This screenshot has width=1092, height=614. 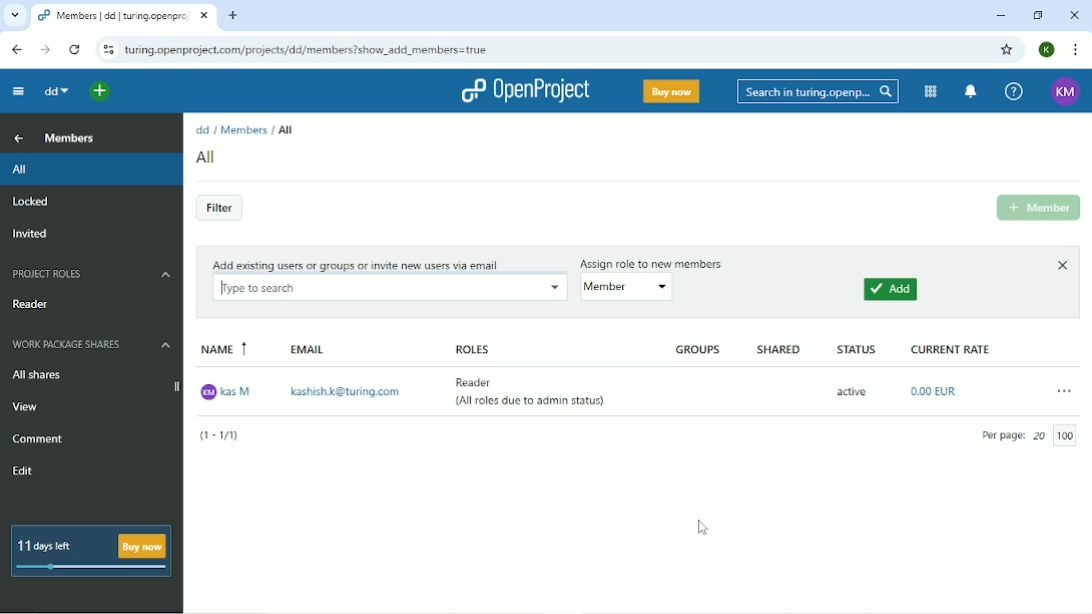 What do you see at coordinates (527, 90) in the screenshot?
I see `OpenProject` at bounding box center [527, 90].